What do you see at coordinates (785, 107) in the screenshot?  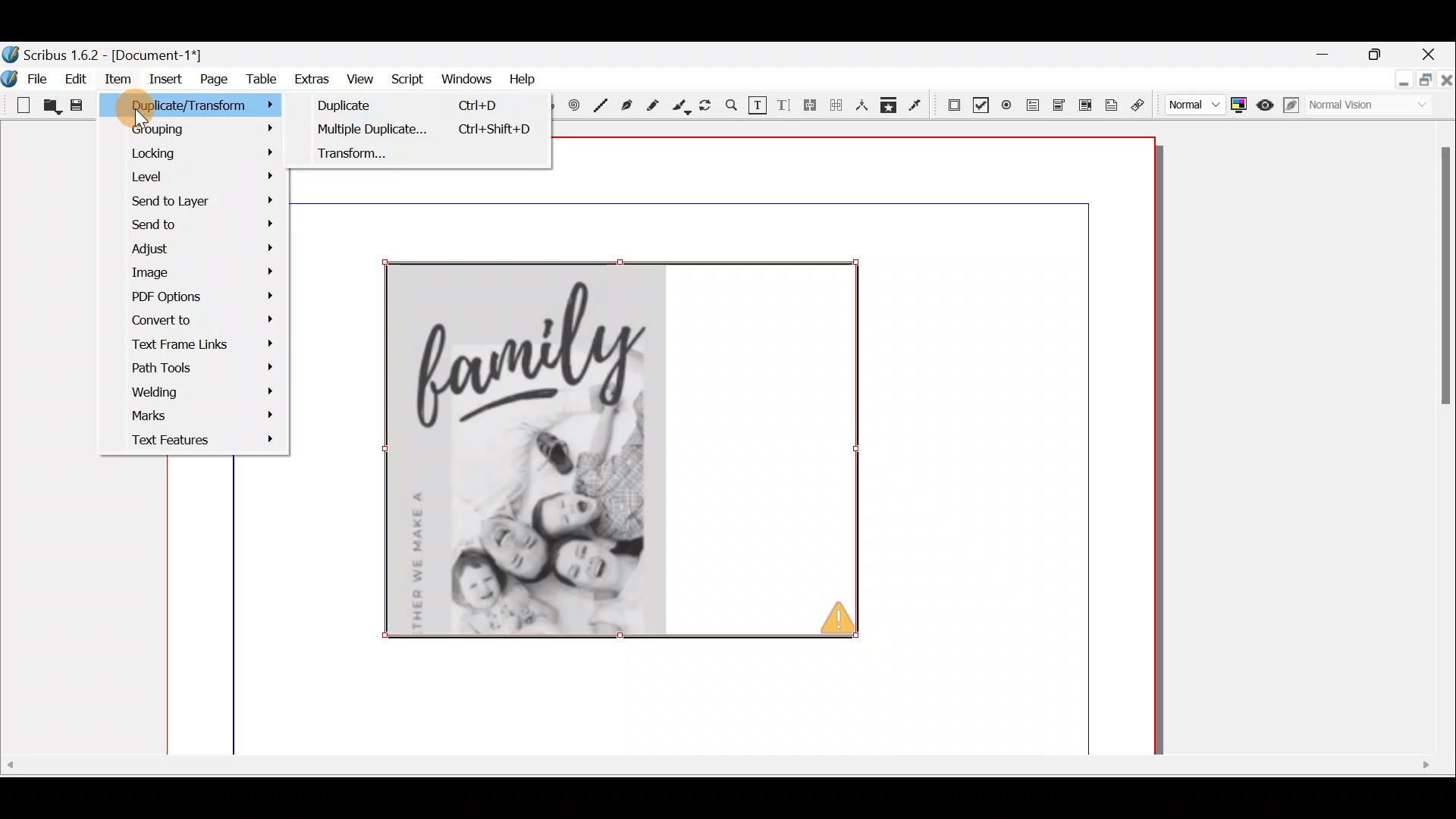 I see `Edit text with story editor` at bounding box center [785, 107].